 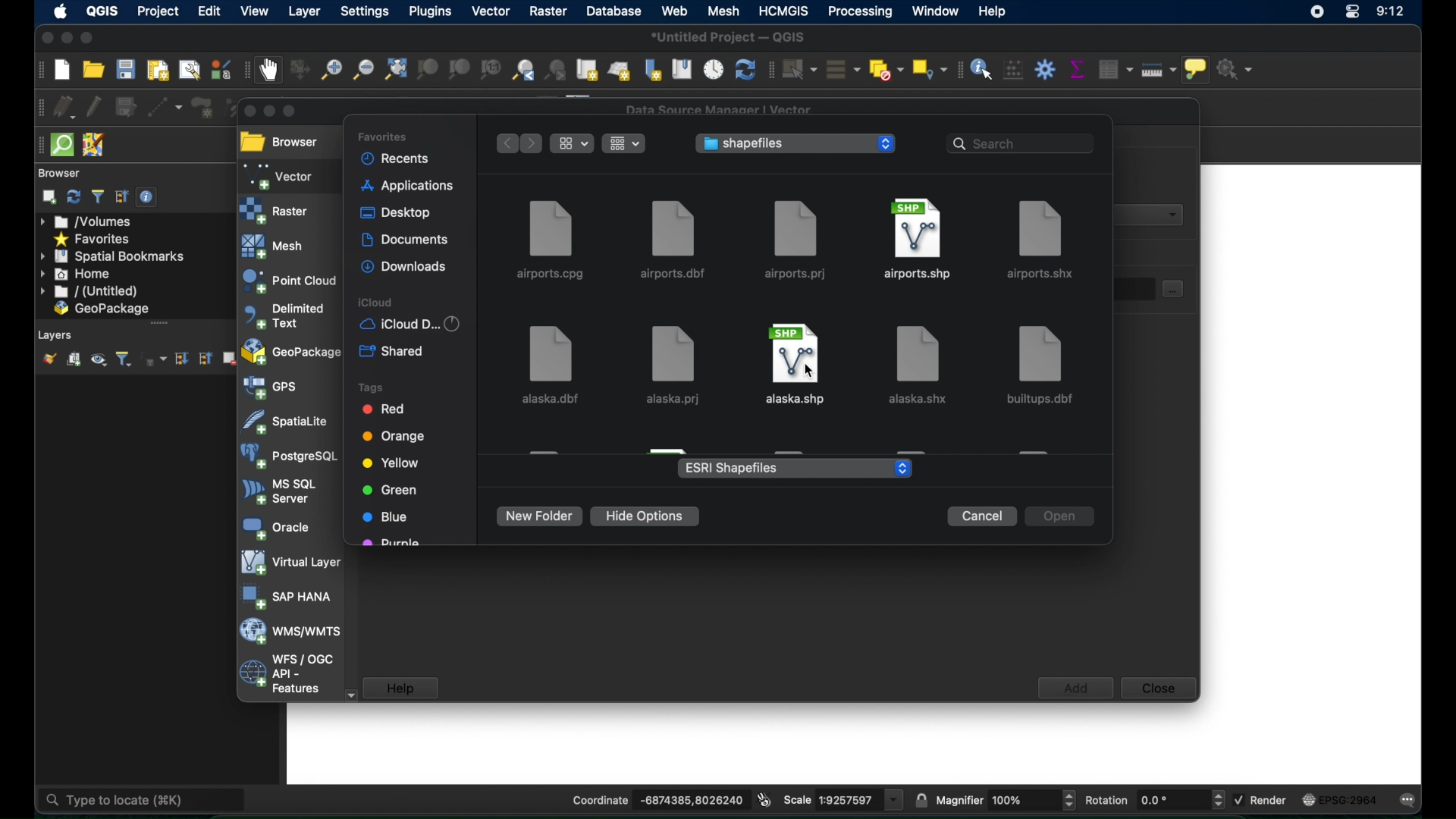 I want to click on remove layer/group, so click(x=231, y=359).